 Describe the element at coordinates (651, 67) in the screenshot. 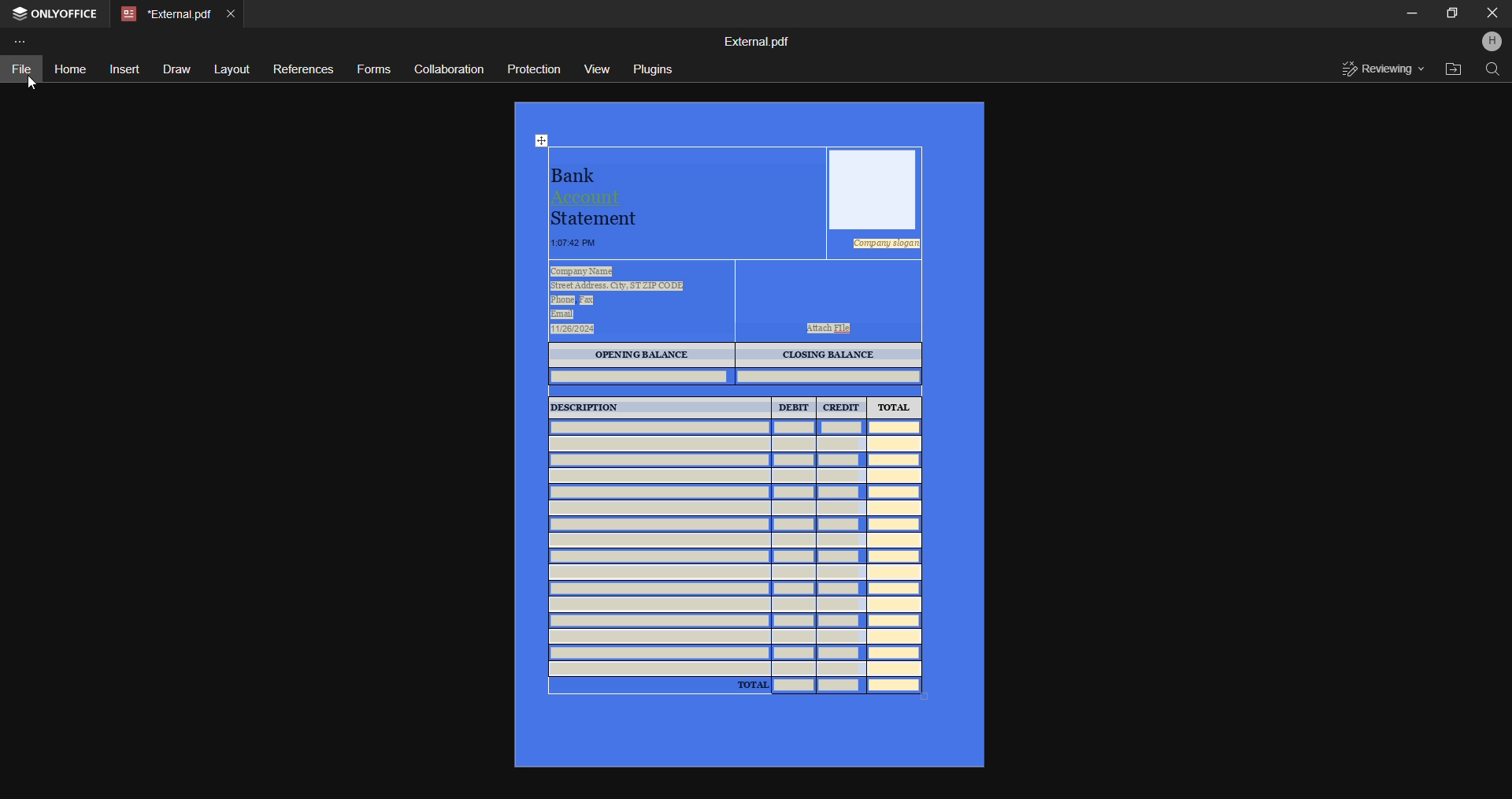

I see `Plugins` at that location.